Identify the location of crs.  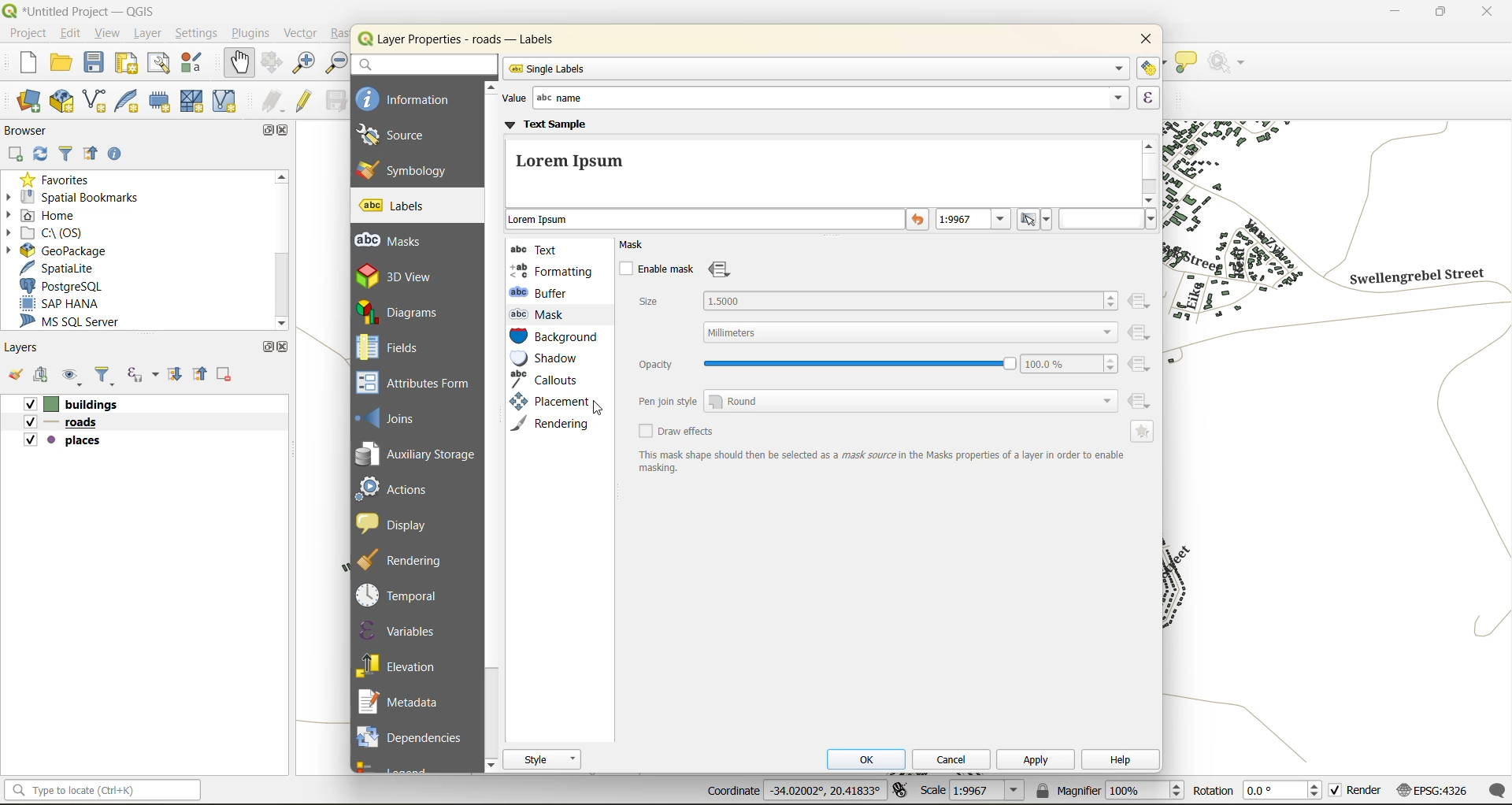
(1431, 787).